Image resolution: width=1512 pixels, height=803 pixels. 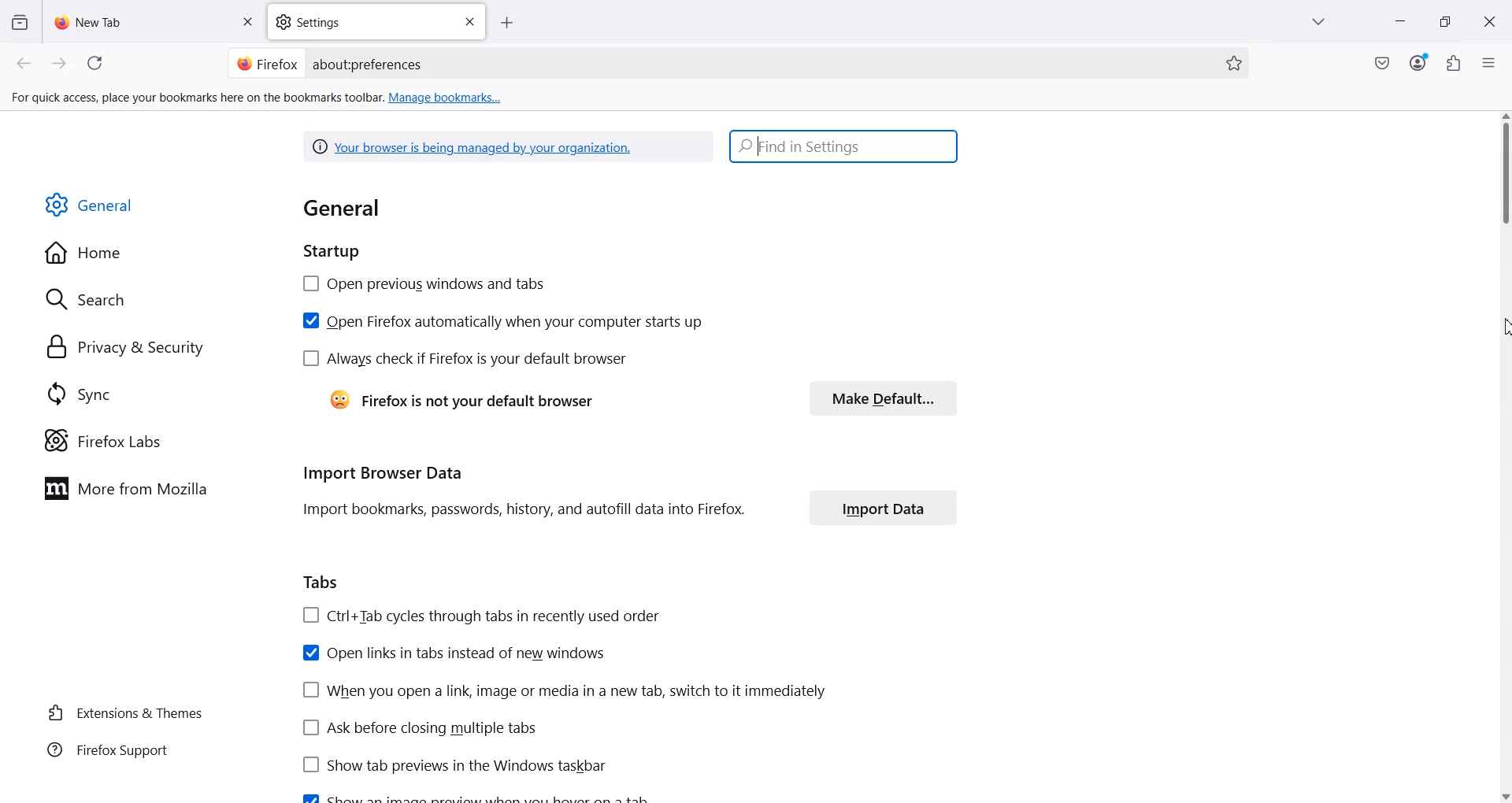 I want to click on Open Firefox automatically when your computer starts up, so click(x=502, y=321).